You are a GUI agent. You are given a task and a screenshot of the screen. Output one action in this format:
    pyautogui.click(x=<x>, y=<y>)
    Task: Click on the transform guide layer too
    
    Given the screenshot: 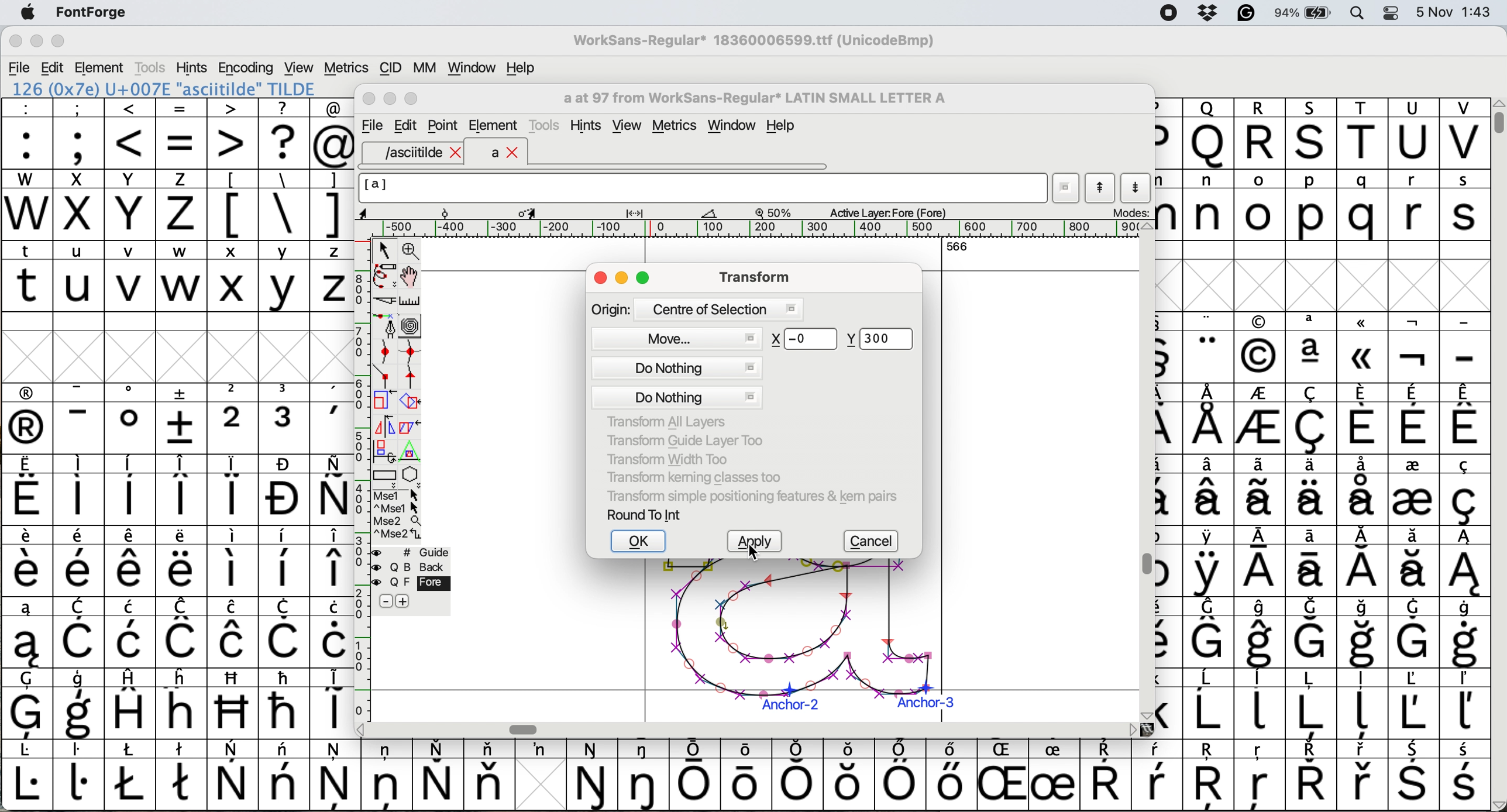 What is the action you would take?
    pyautogui.click(x=680, y=439)
    